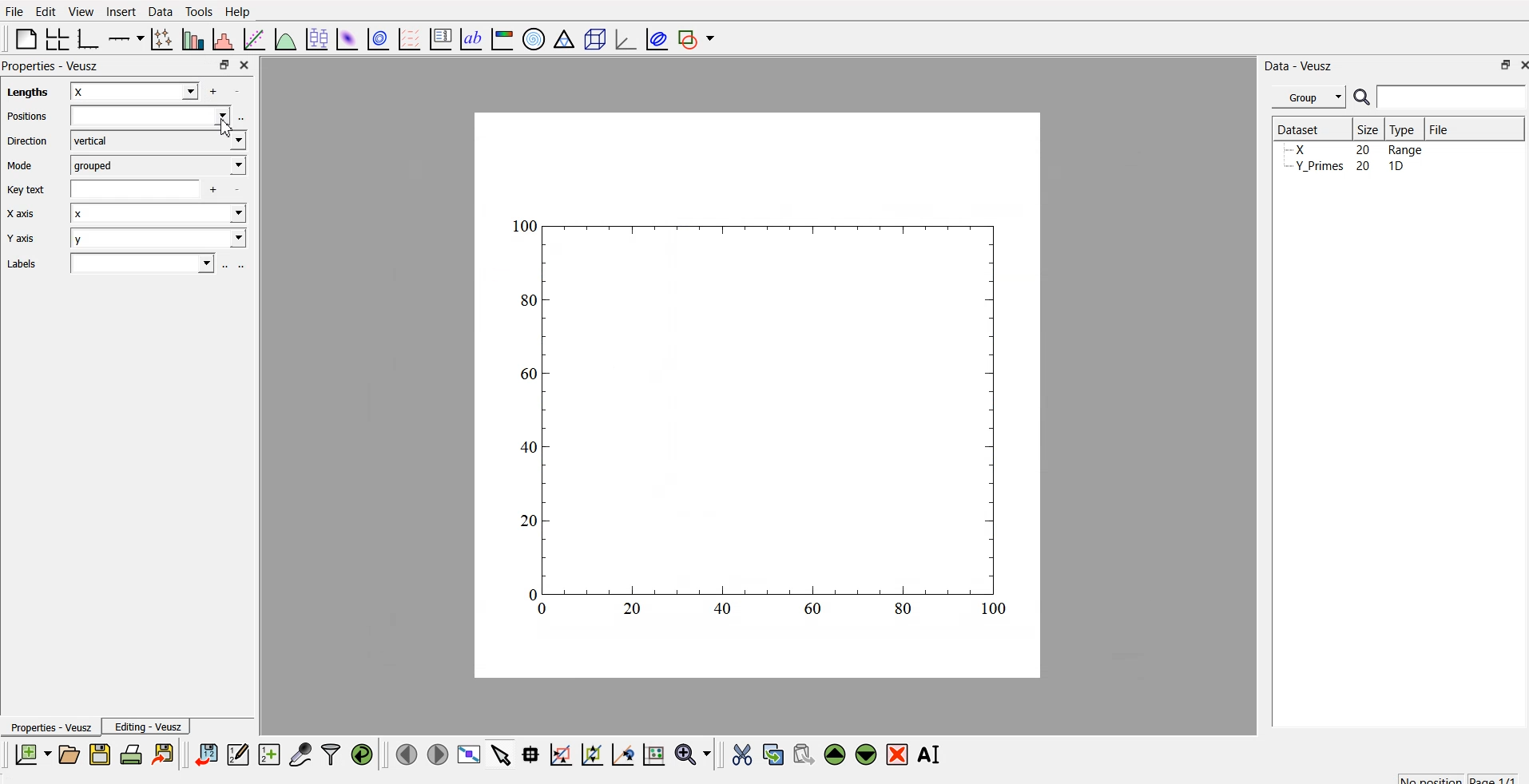 This screenshot has height=784, width=1529. Describe the element at coordinates (43, 10) in the screenshot. I see `Edit` at that location.